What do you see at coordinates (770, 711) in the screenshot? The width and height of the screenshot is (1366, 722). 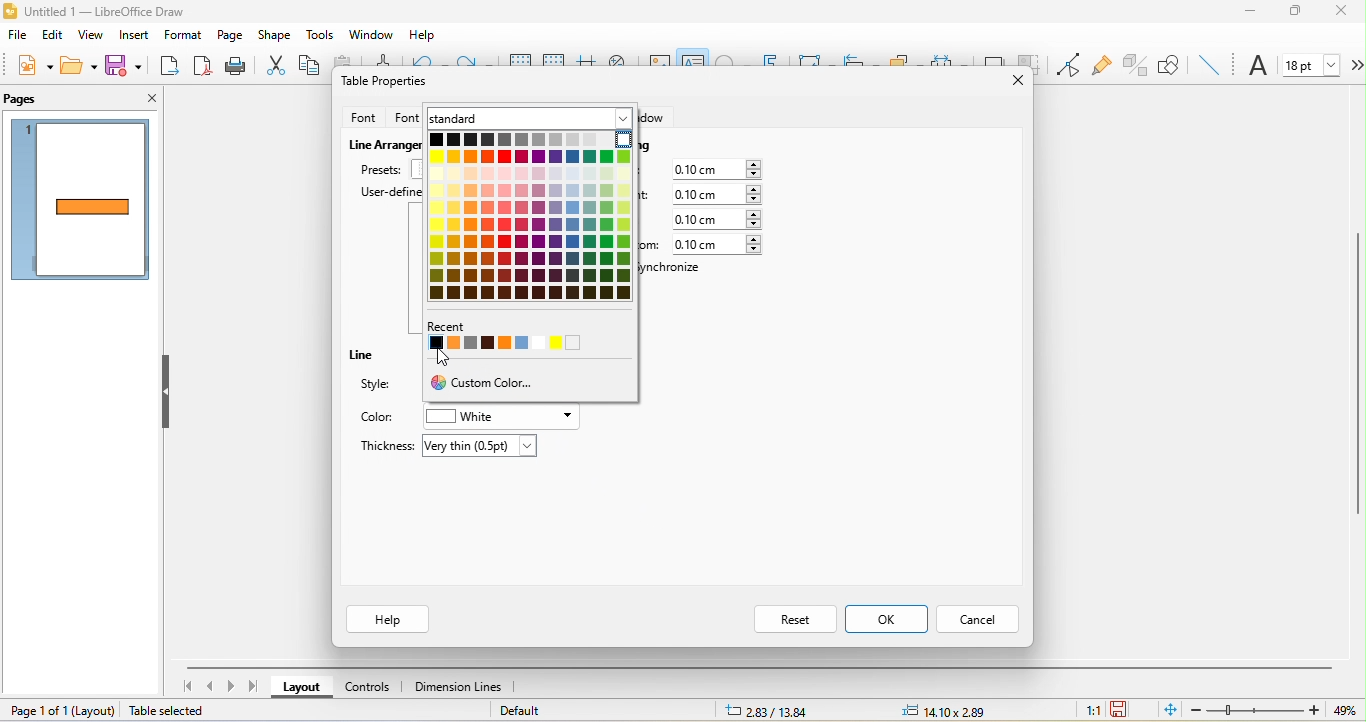 I see `2.83/13.84` at bounding box center [770, 711].